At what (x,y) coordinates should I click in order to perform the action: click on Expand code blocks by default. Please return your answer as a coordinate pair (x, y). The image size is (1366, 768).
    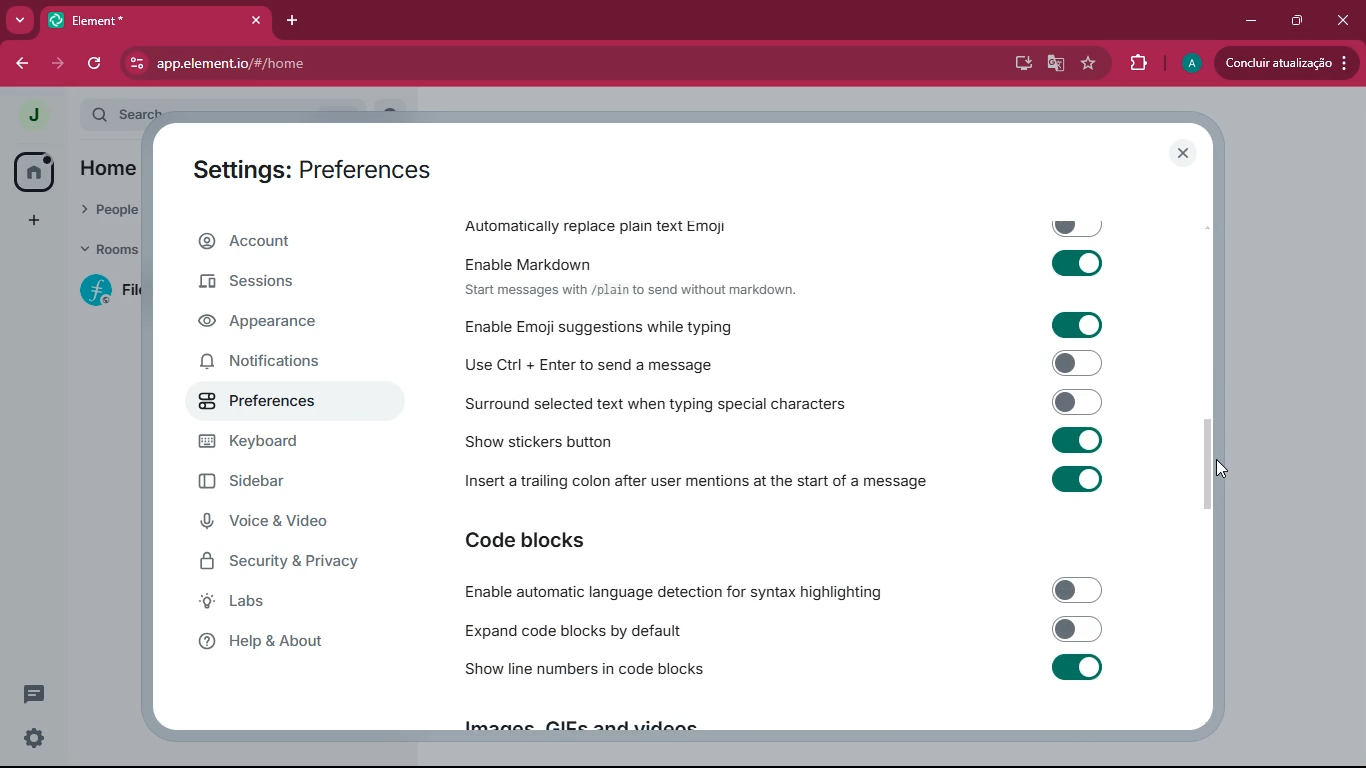
    Looking at the image, I should click on (783, 630).